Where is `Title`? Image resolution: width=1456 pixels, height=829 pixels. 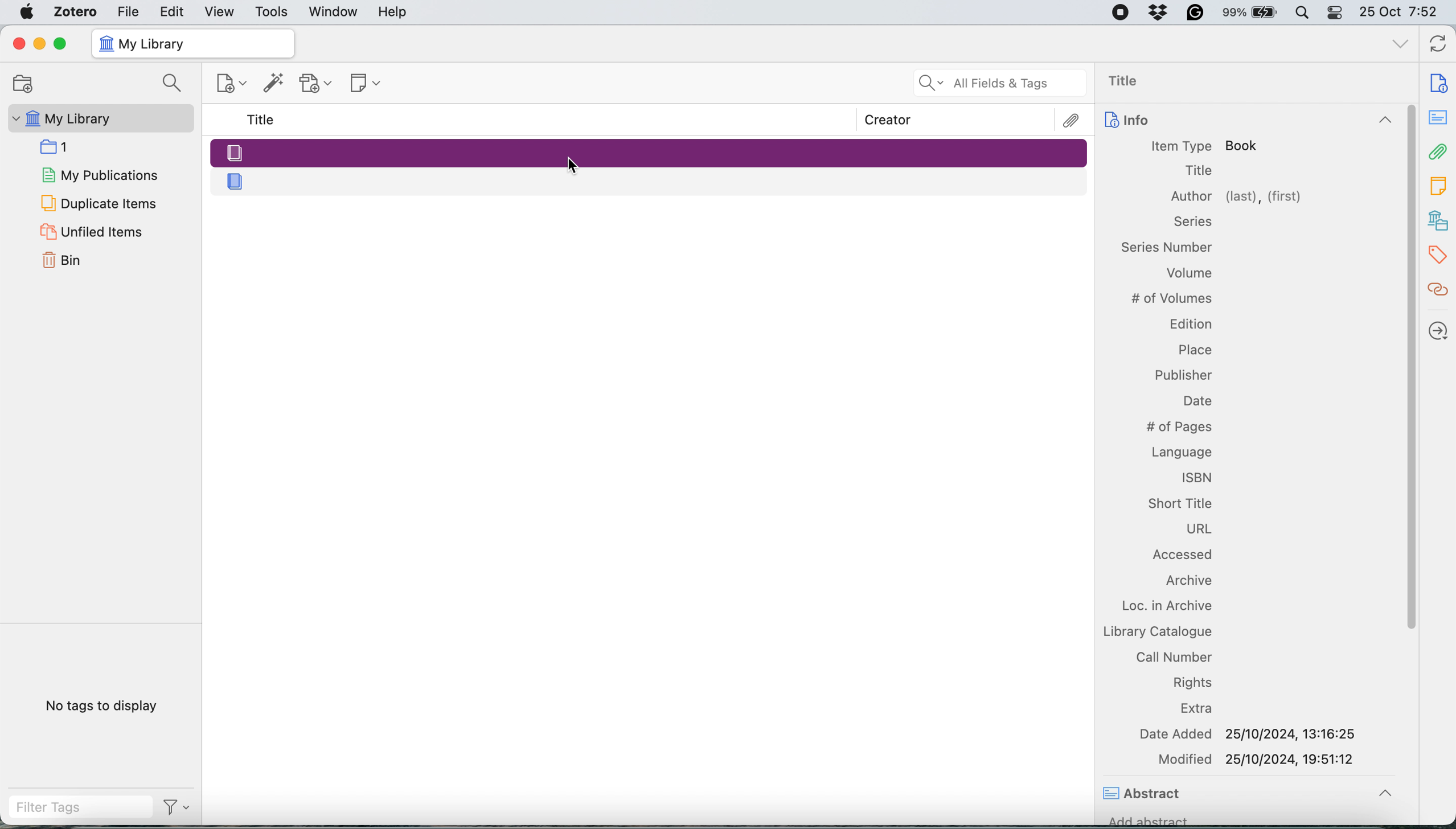 Title is located at coordinates (263, 120).